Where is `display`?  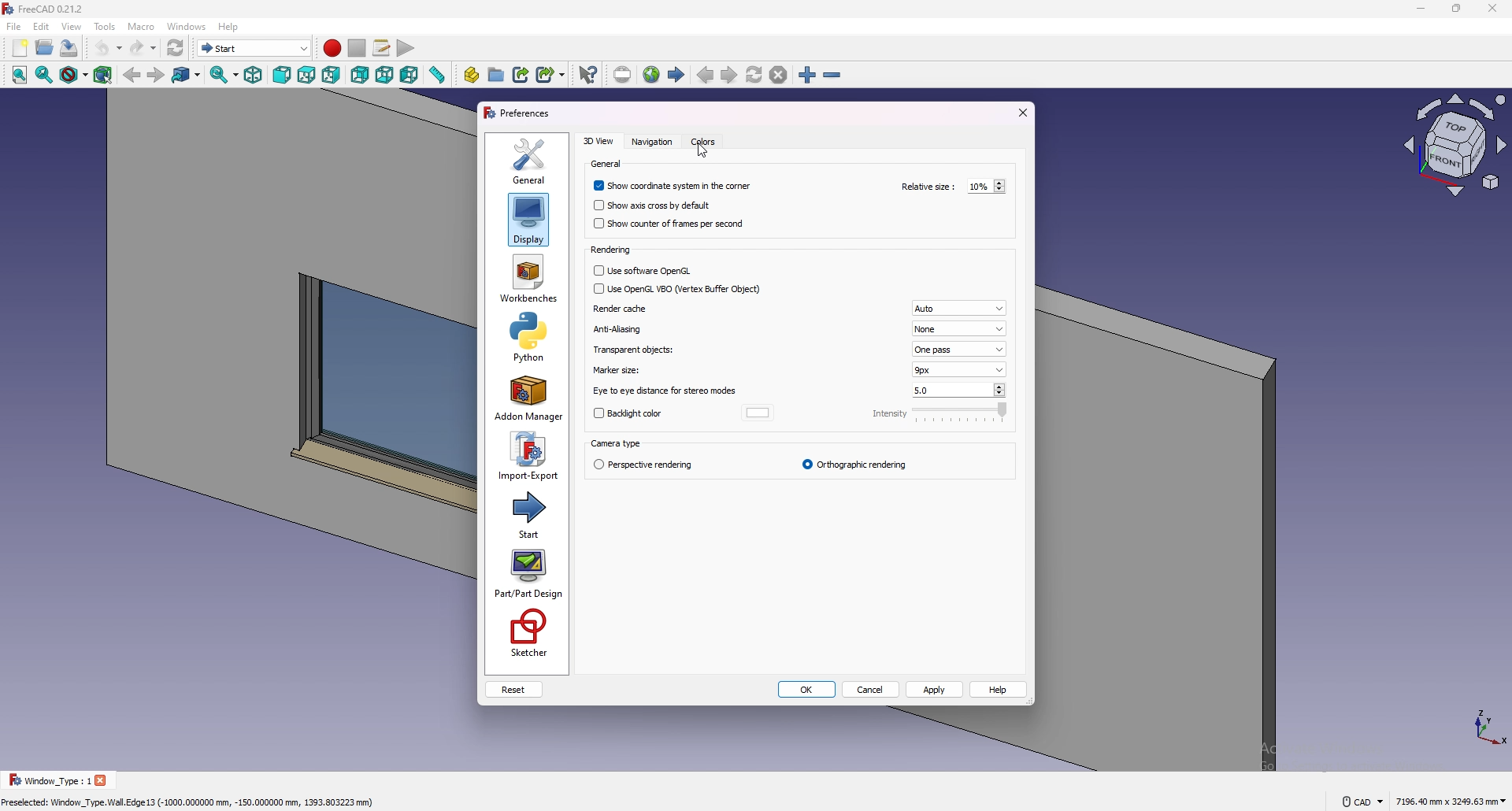 display is located at coordinates (528, 219).